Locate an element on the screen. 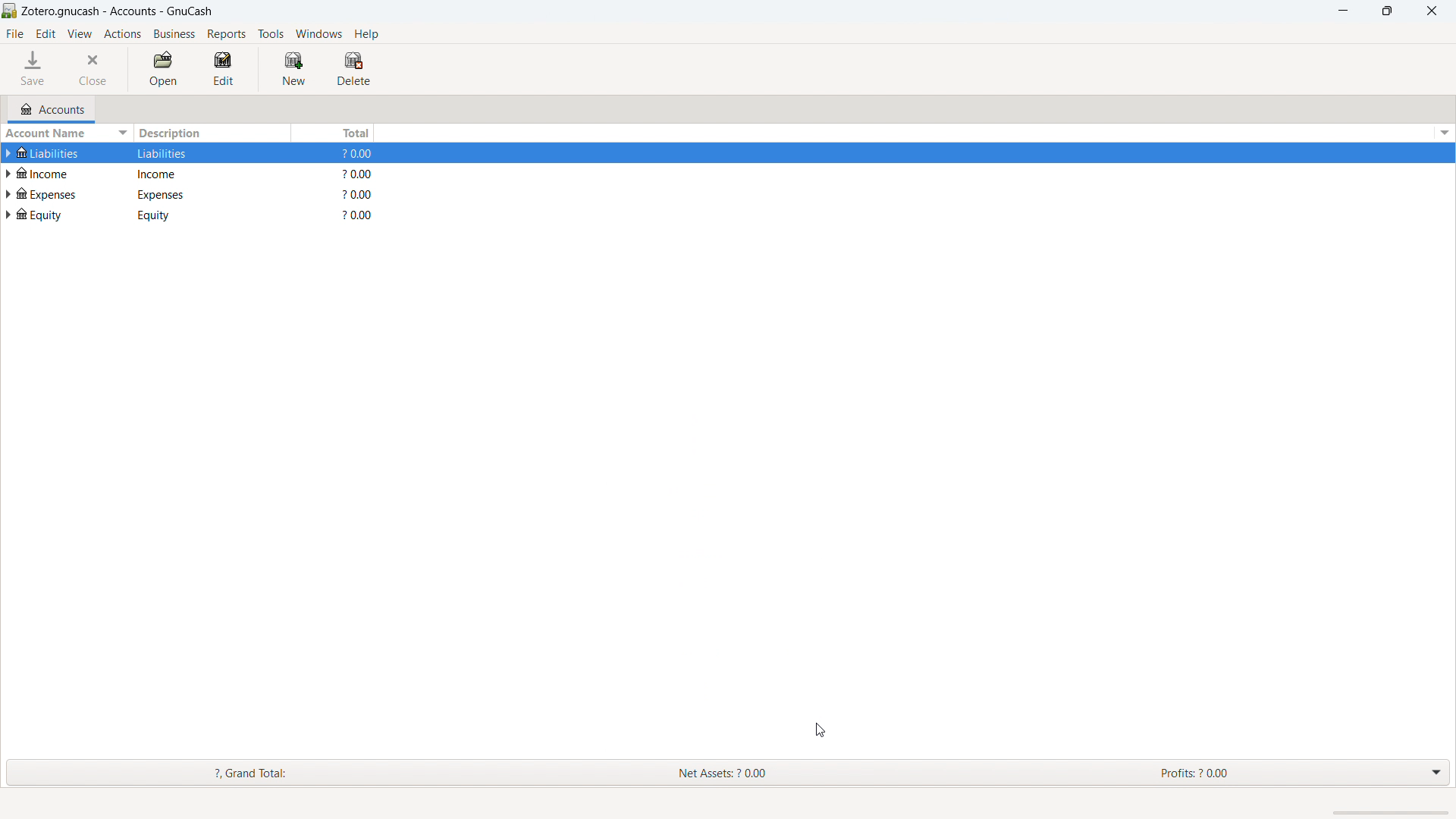 The image size is (1456, 819). income is located at coordinates (49, 172).